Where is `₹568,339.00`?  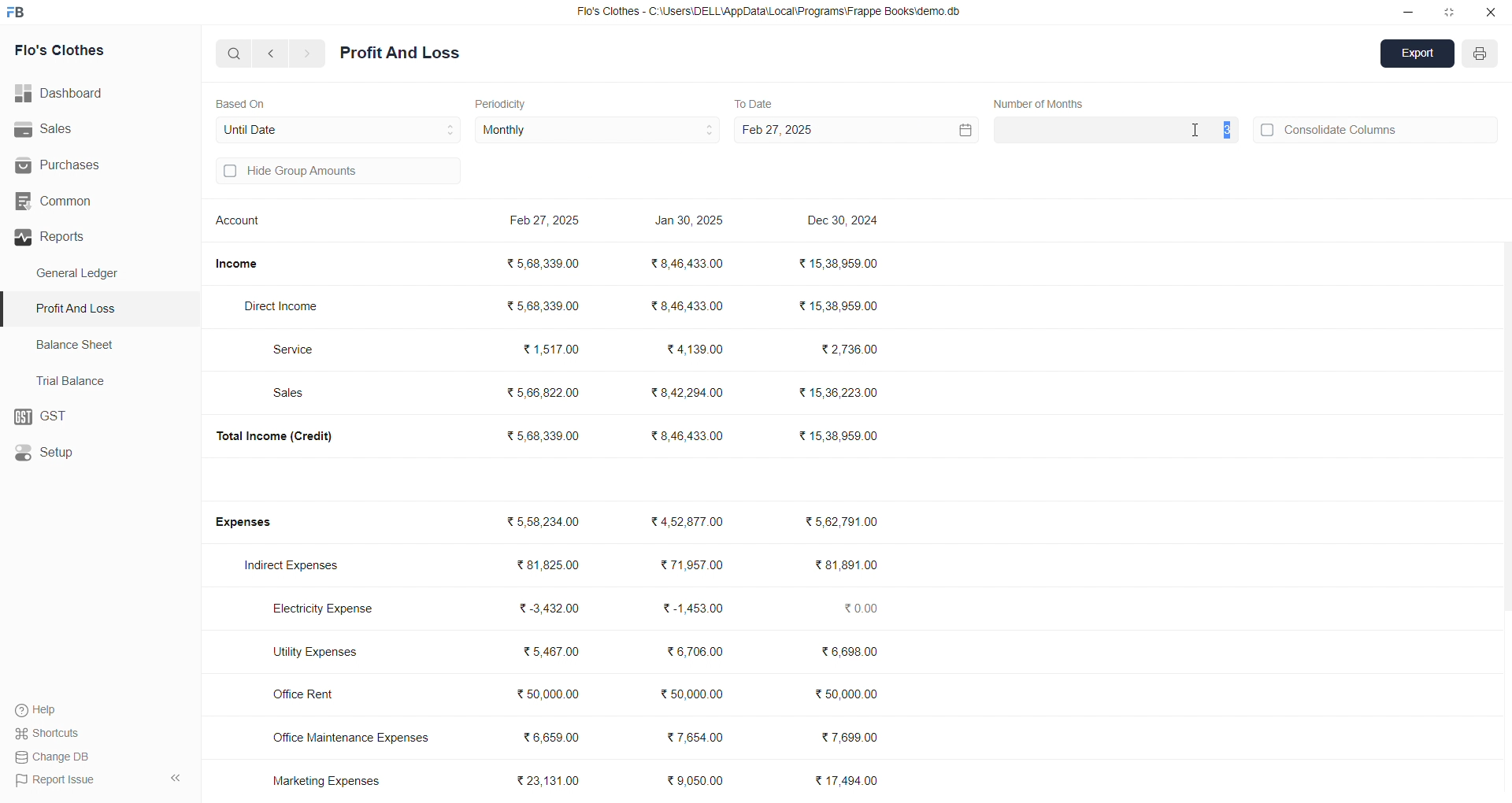 ₹568,339.00 is located at coordinates (547, 265).